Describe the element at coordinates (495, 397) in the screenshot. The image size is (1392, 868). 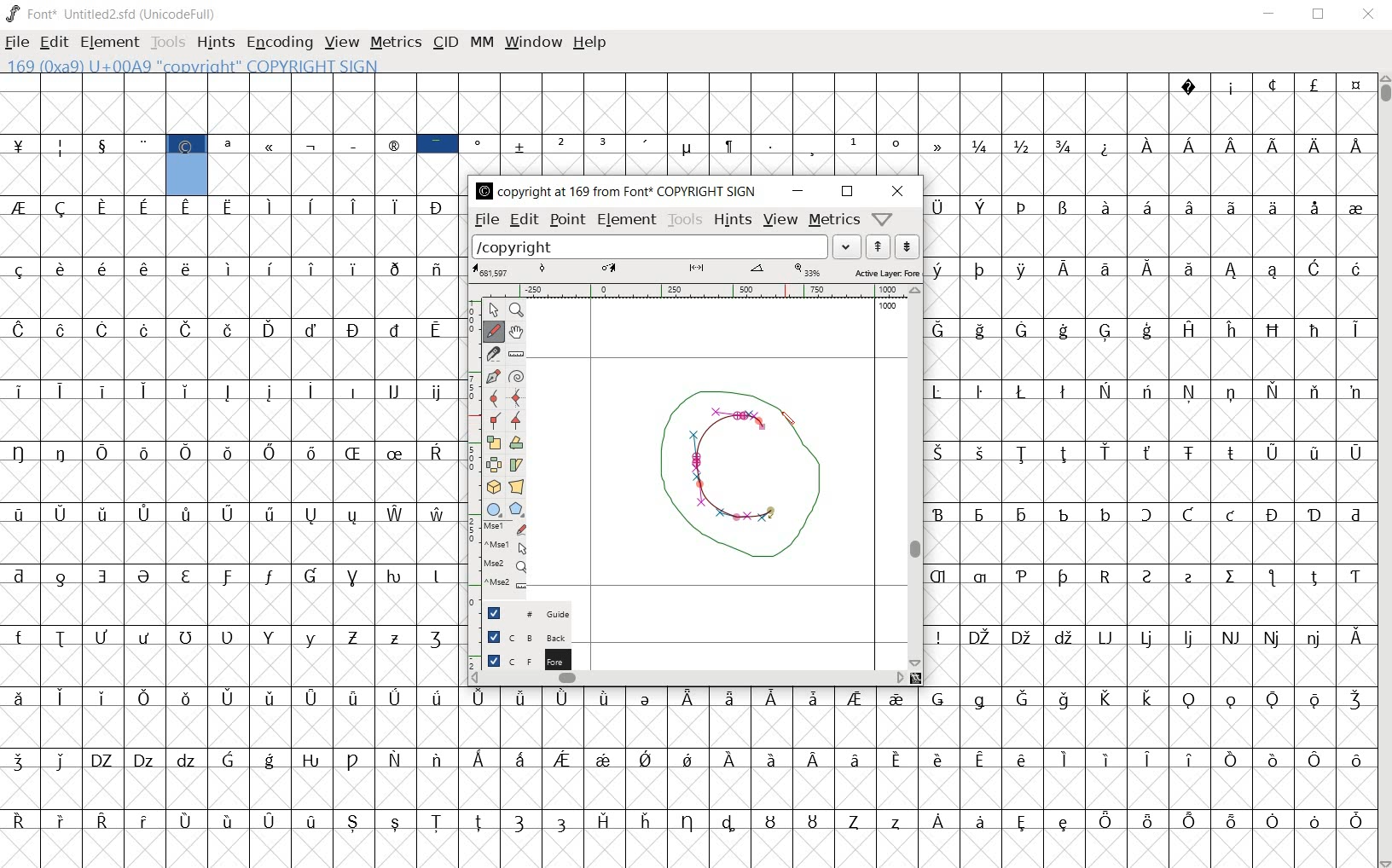
I see `add a curve point` at that location.